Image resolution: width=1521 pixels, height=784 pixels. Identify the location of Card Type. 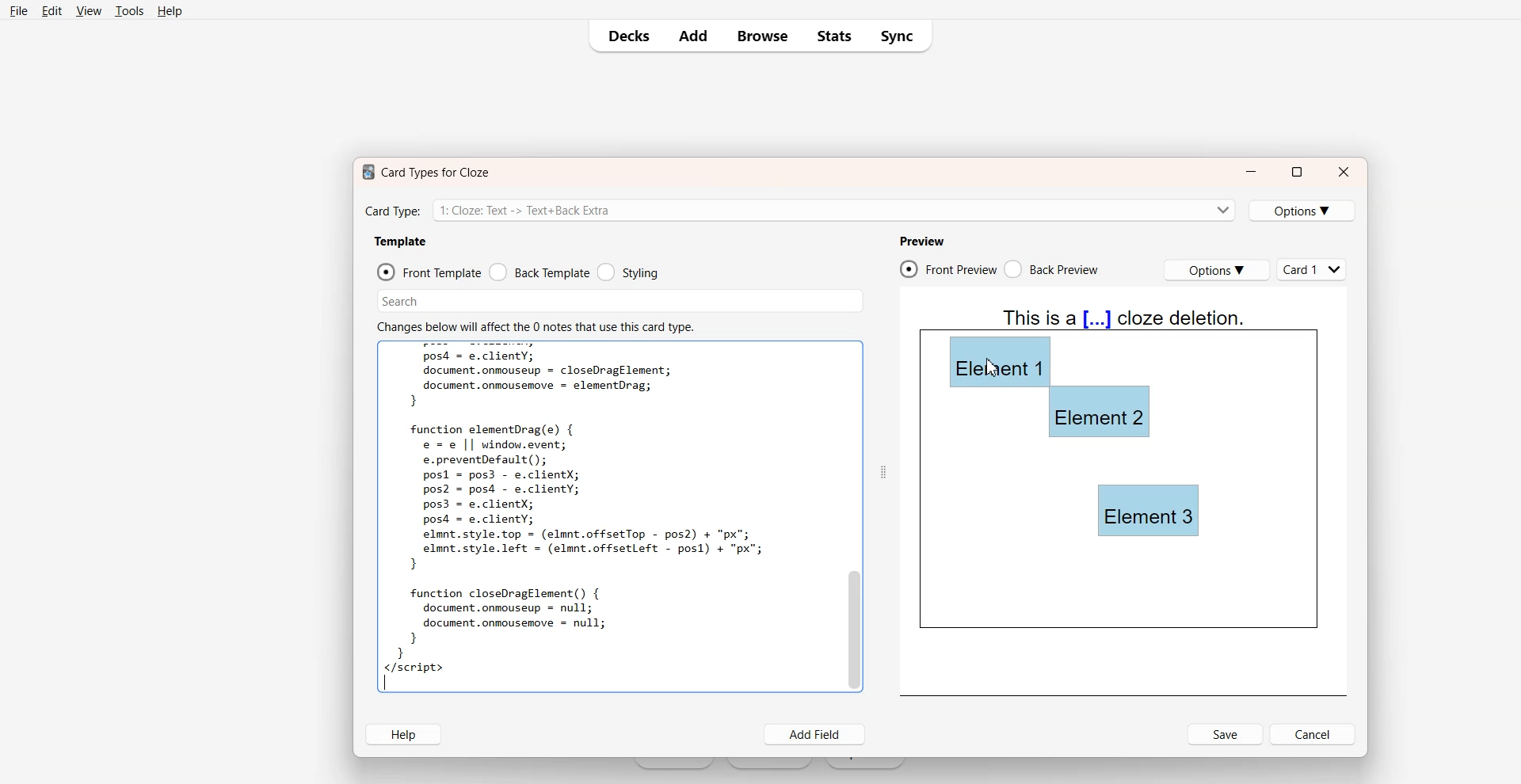
(799, 209).